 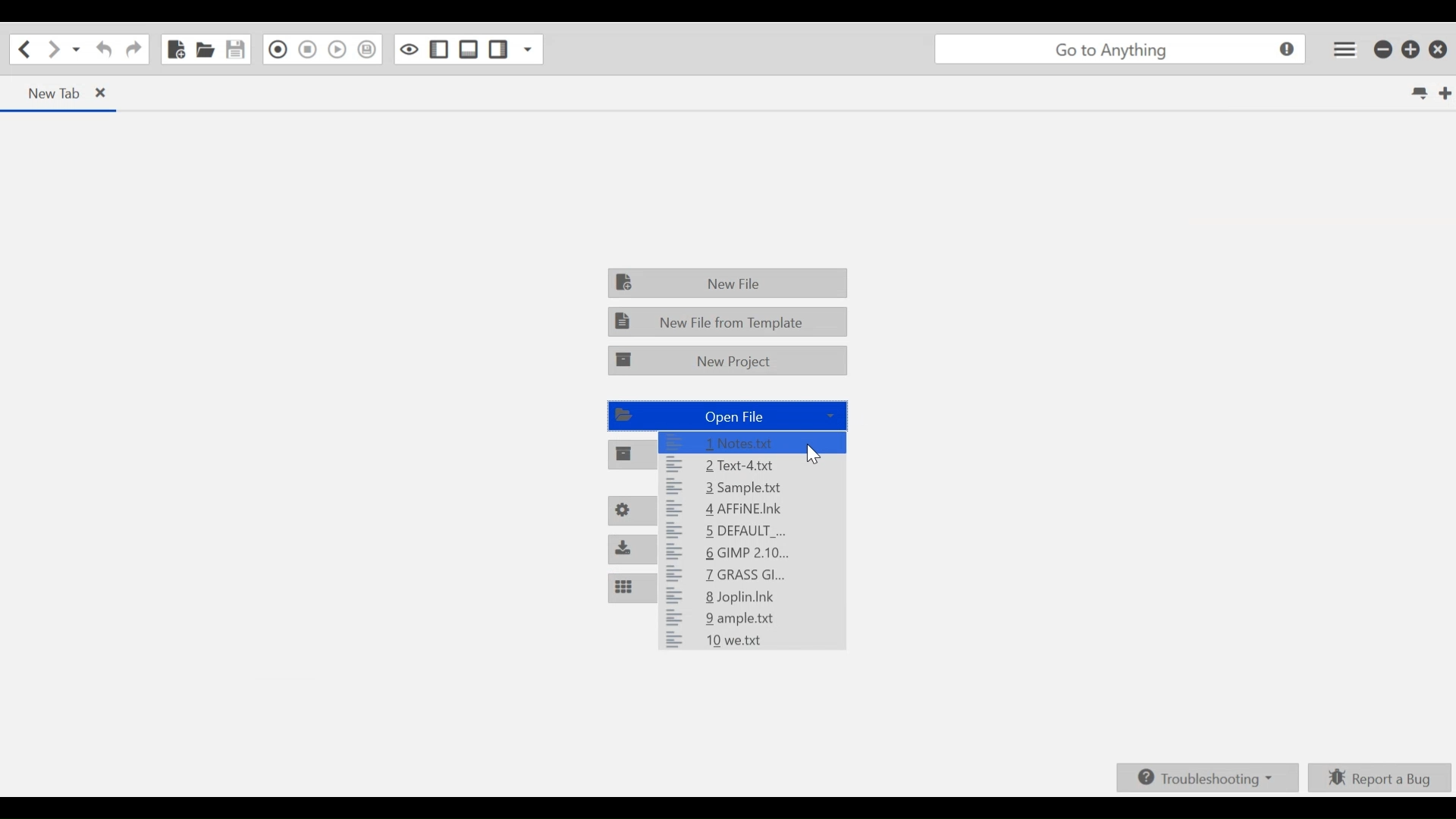 I want to click on Recent locations, so click(x=78, y=49).